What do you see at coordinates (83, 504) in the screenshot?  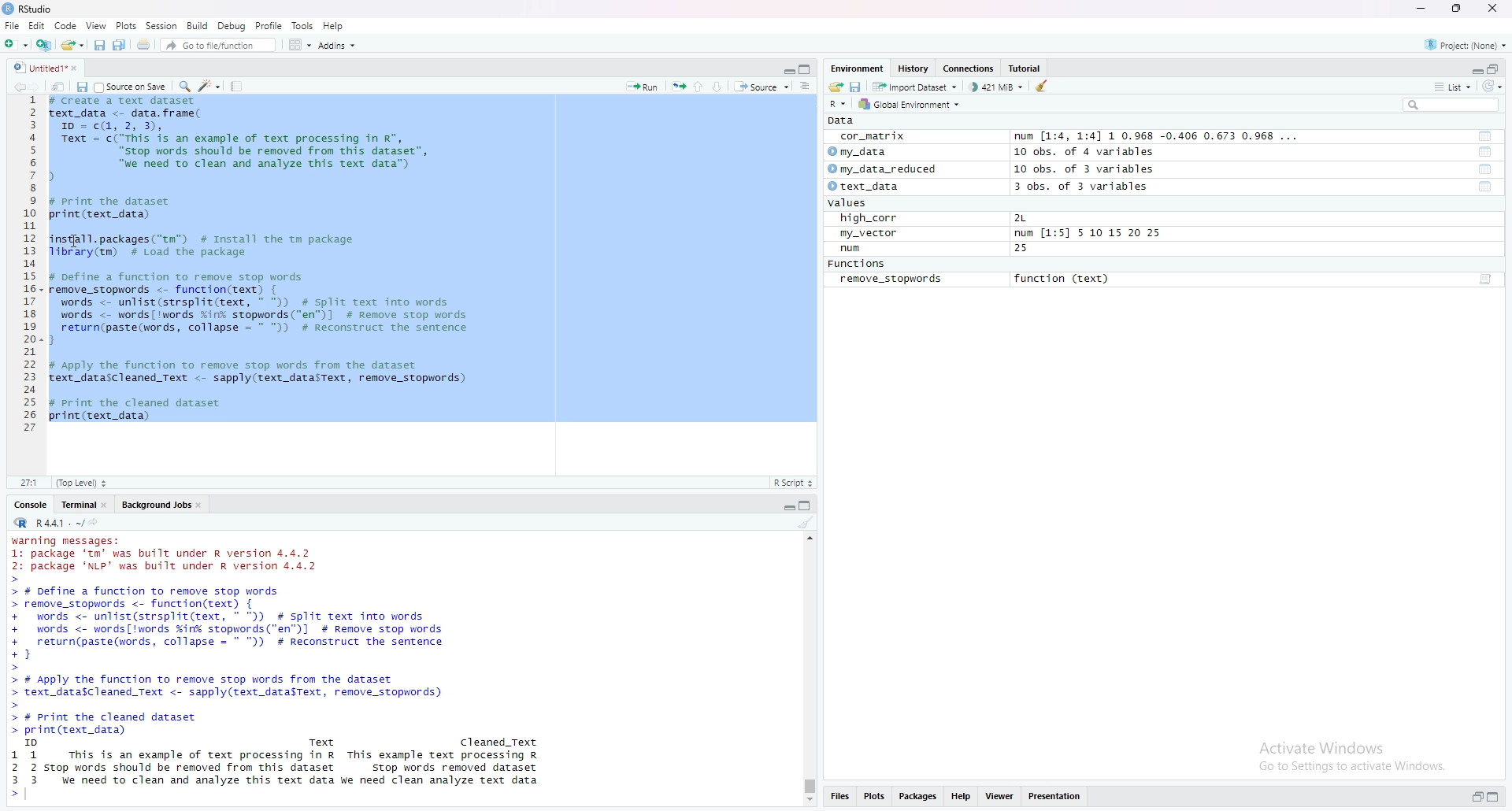 I see `terminal` at bounding box center [83, 504].